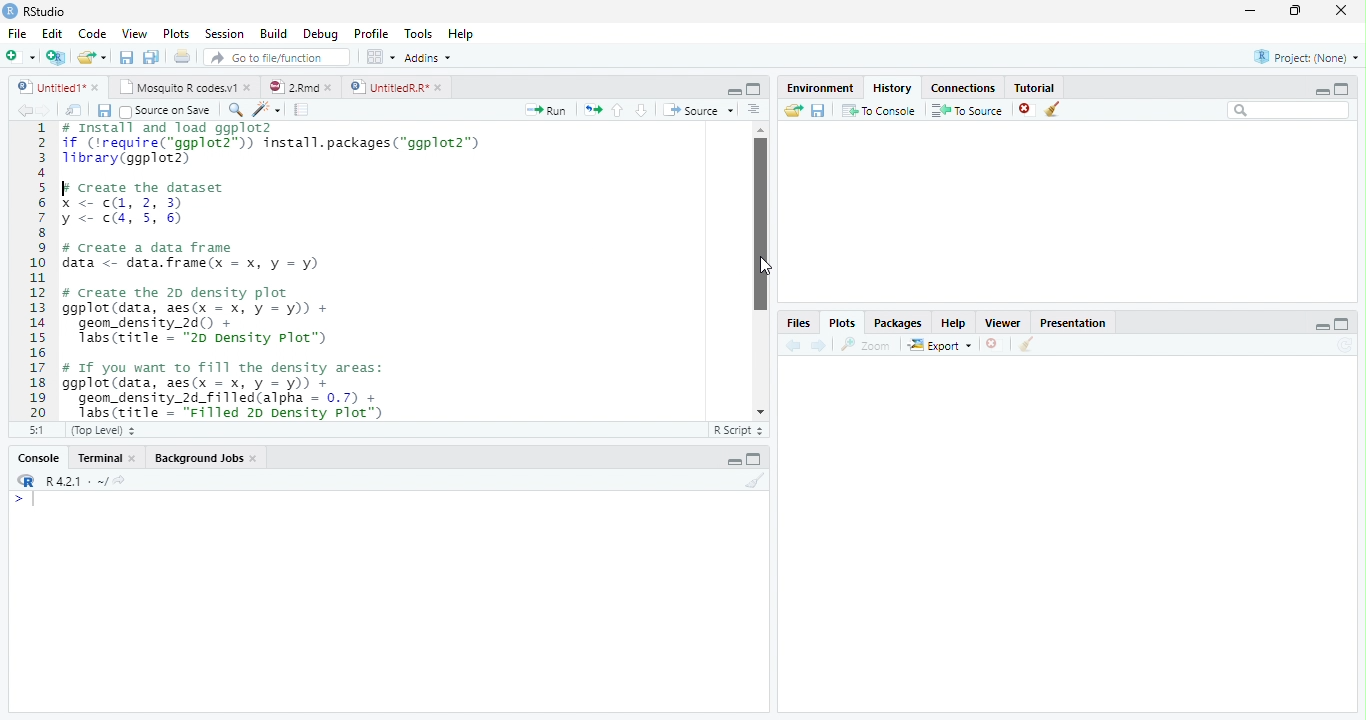 This screenshot has height=720, width=1366. I want to click on close, so click(1342, 10).